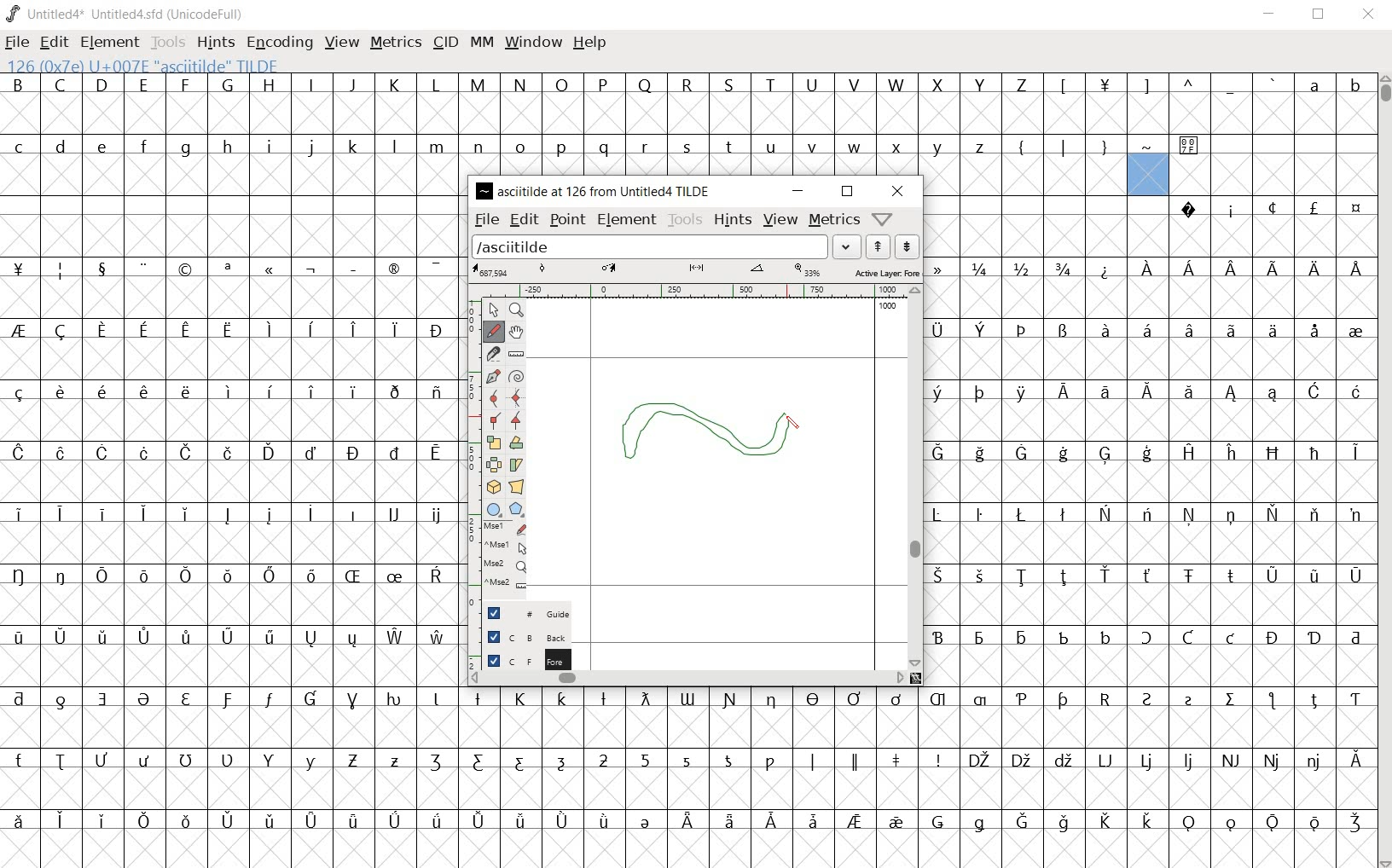  Describe the element at coordinates (1148, 174) in the screenshot. I see `126 (0X7e) U+007E "asciitilde" TILDE` at that location.